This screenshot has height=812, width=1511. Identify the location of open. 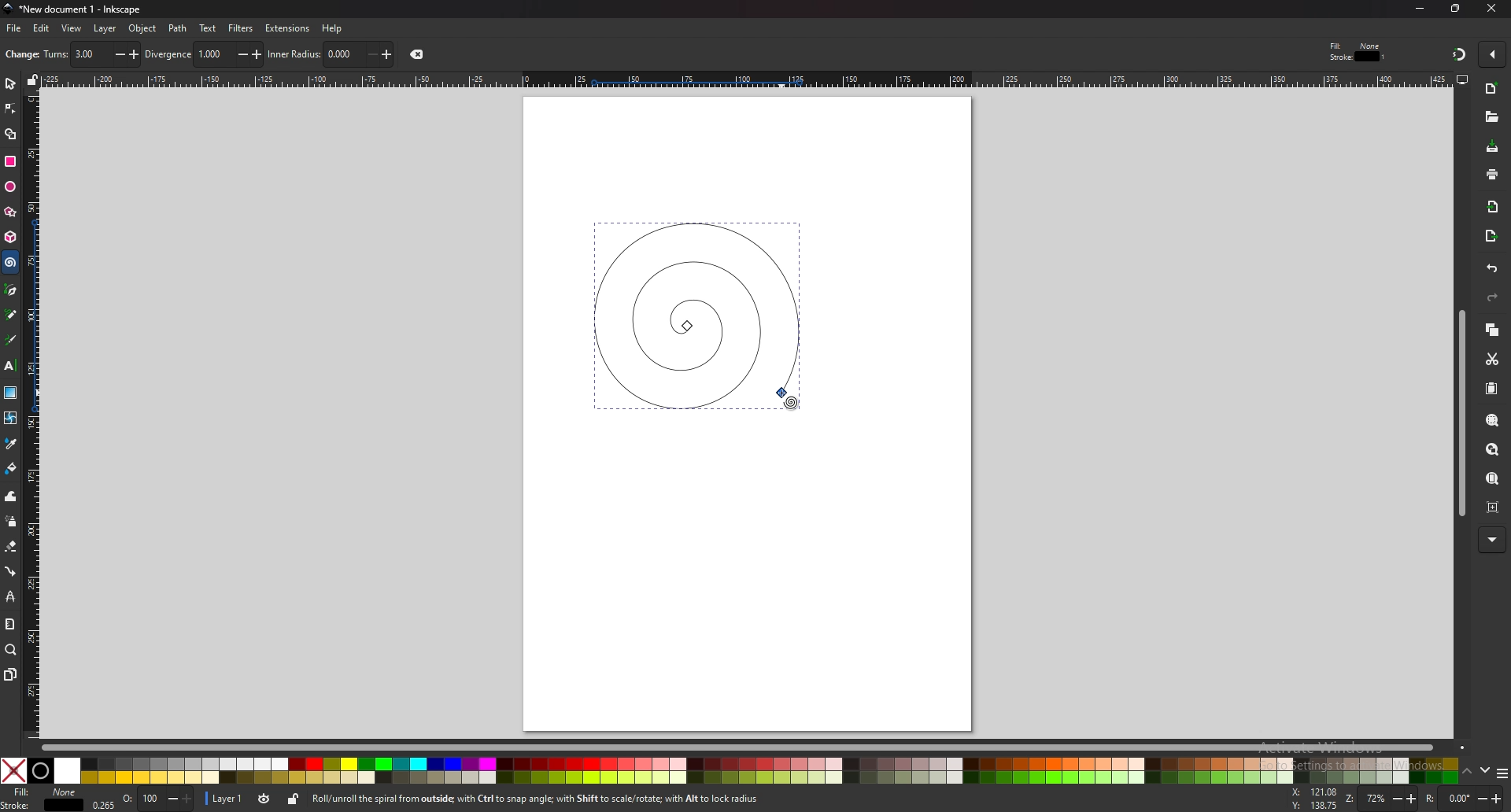
(1491, 119).